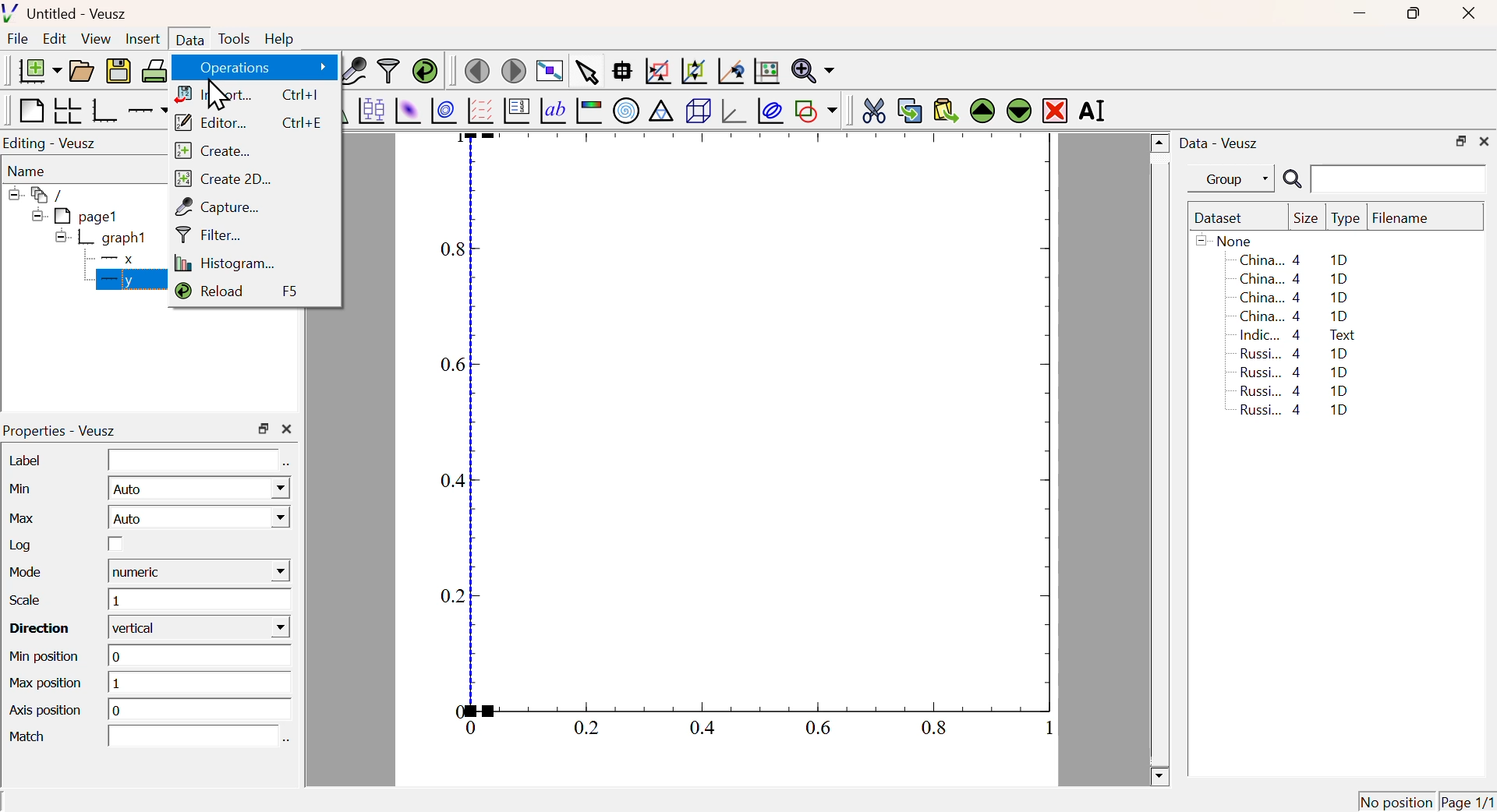 The image size is (1497, 812). Describe the element at coordinates (813, 69) in the screenshot. I see `Zoom function menu` at that location.